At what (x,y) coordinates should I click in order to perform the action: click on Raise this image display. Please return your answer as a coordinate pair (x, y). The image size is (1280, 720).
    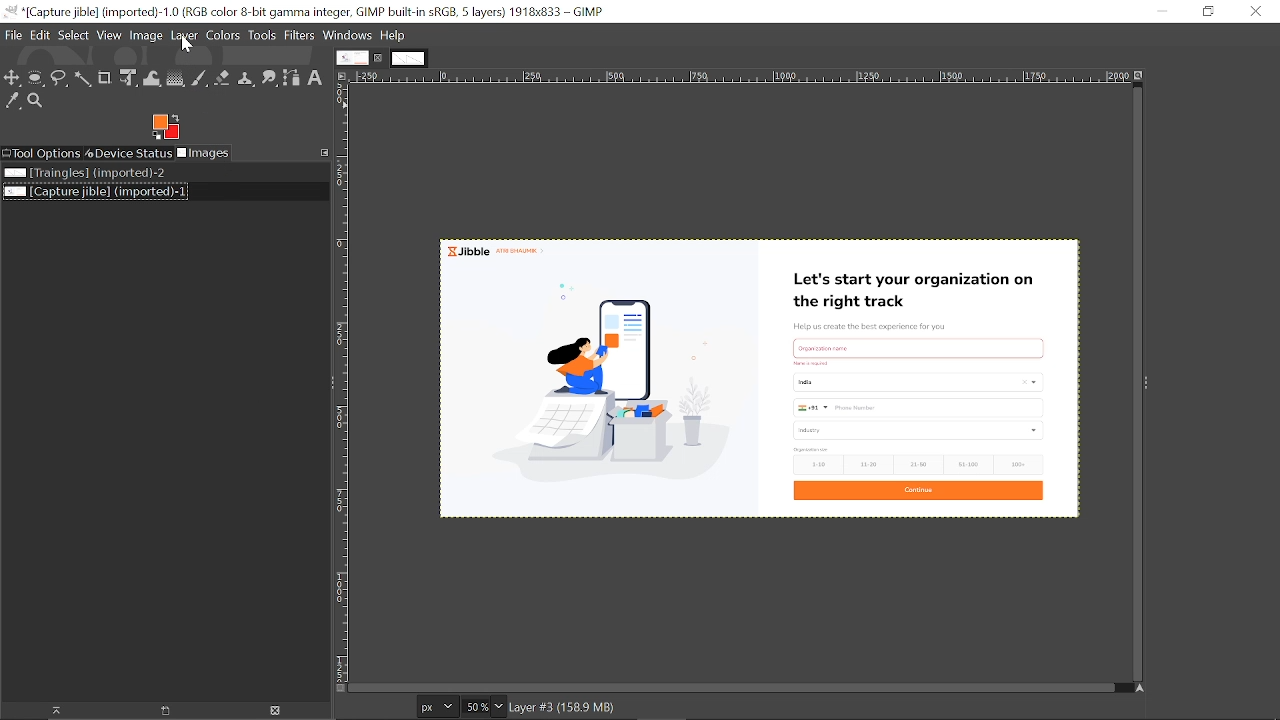
    Looking at the image, I should click on (48, 710).